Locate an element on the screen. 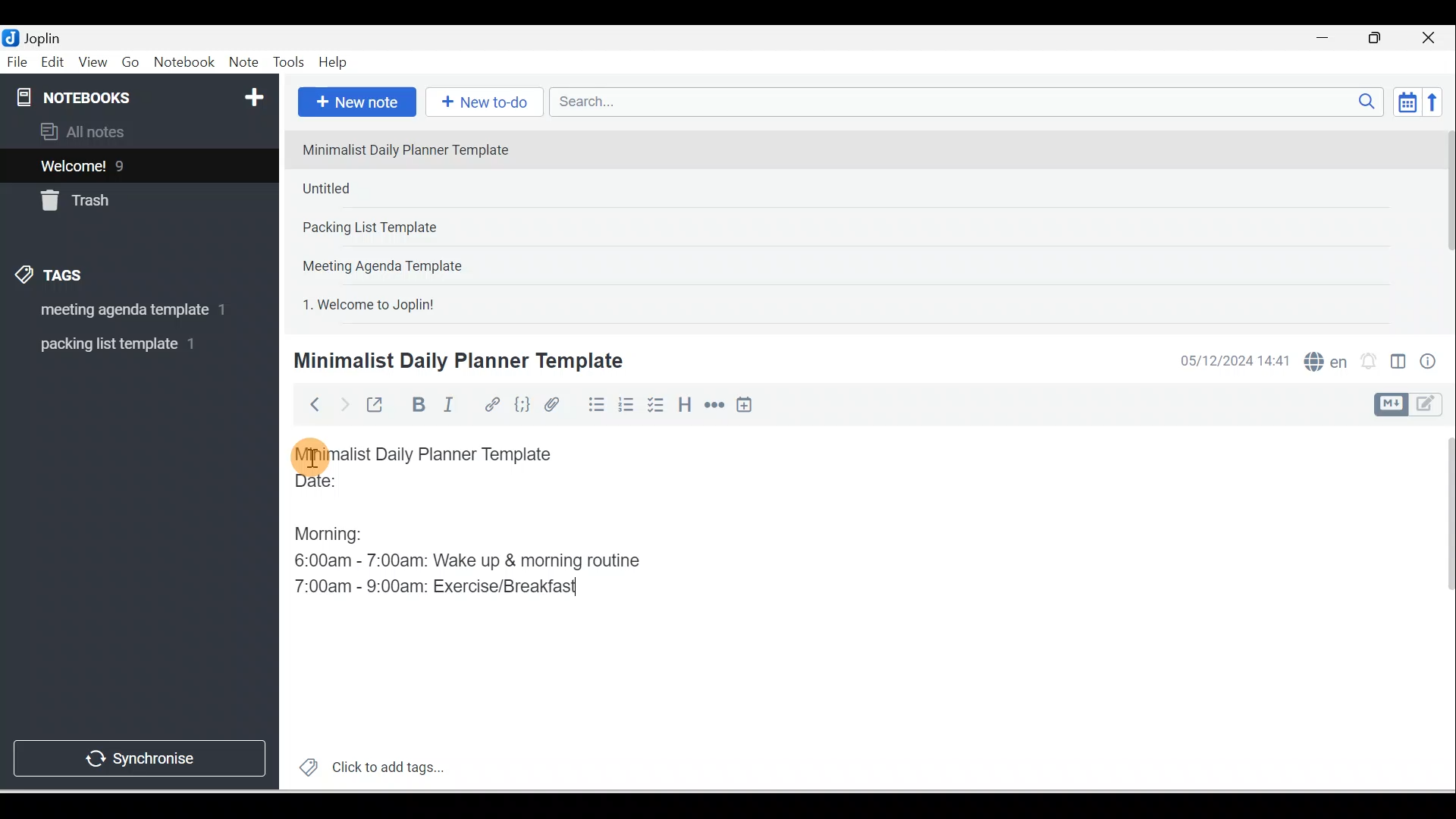 Image resolution: width=1456 pixels, height=819 pixels. All notes is located at coordinates (137, 131).